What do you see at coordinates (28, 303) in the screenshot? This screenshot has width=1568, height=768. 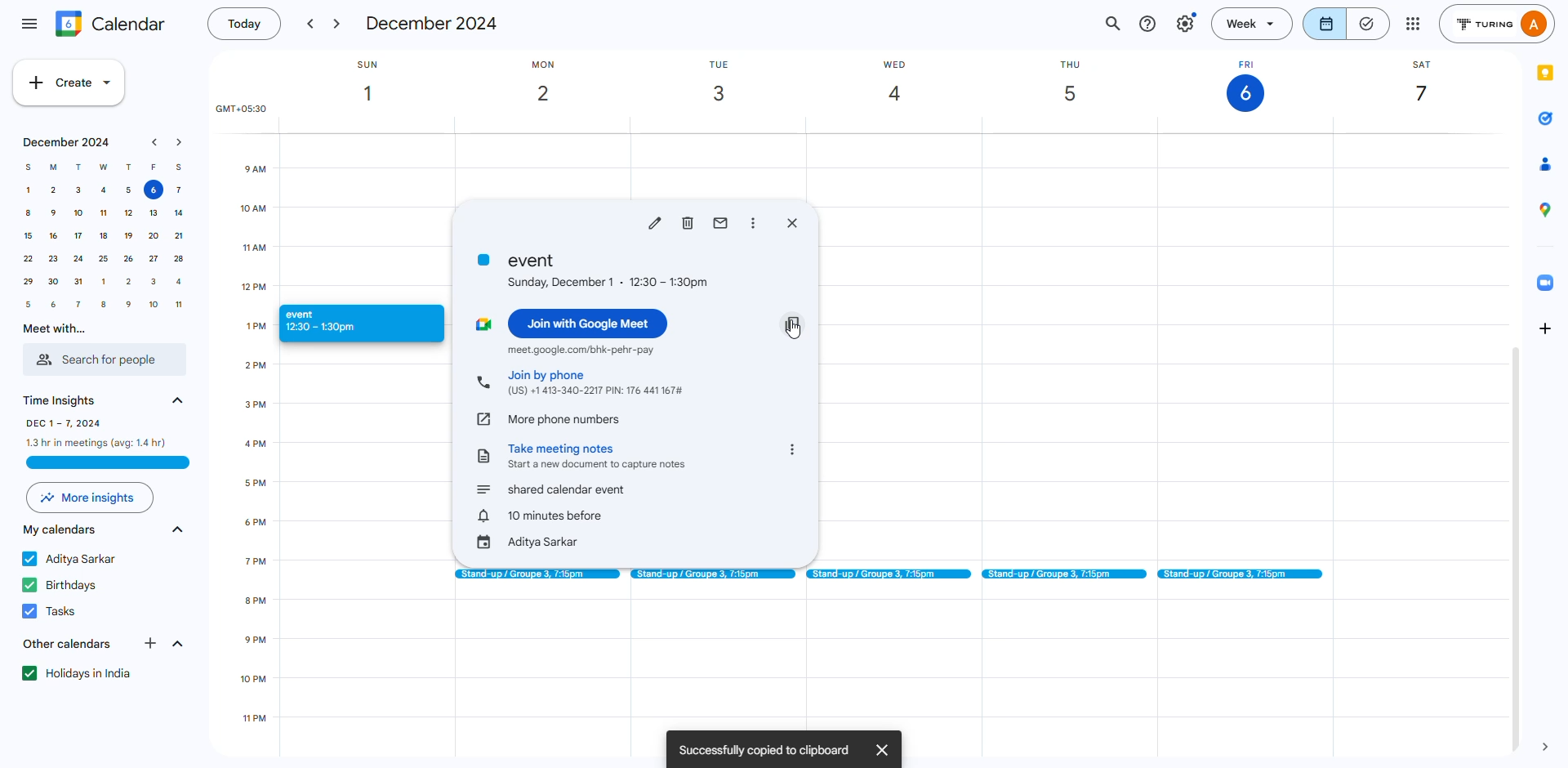 I see `5` at bounding box center [28, 303].